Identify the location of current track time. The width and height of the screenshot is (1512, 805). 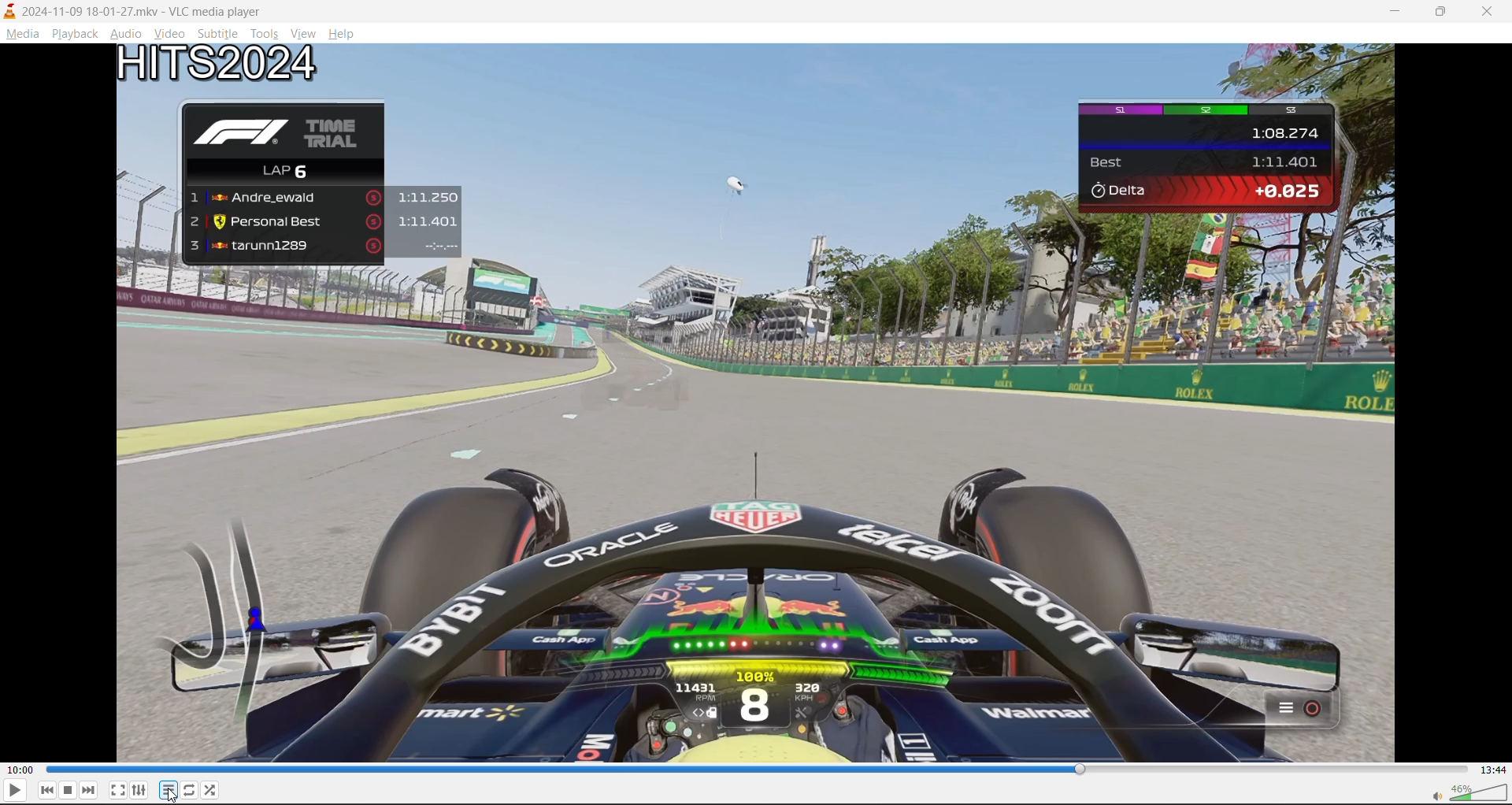
(20, 770).